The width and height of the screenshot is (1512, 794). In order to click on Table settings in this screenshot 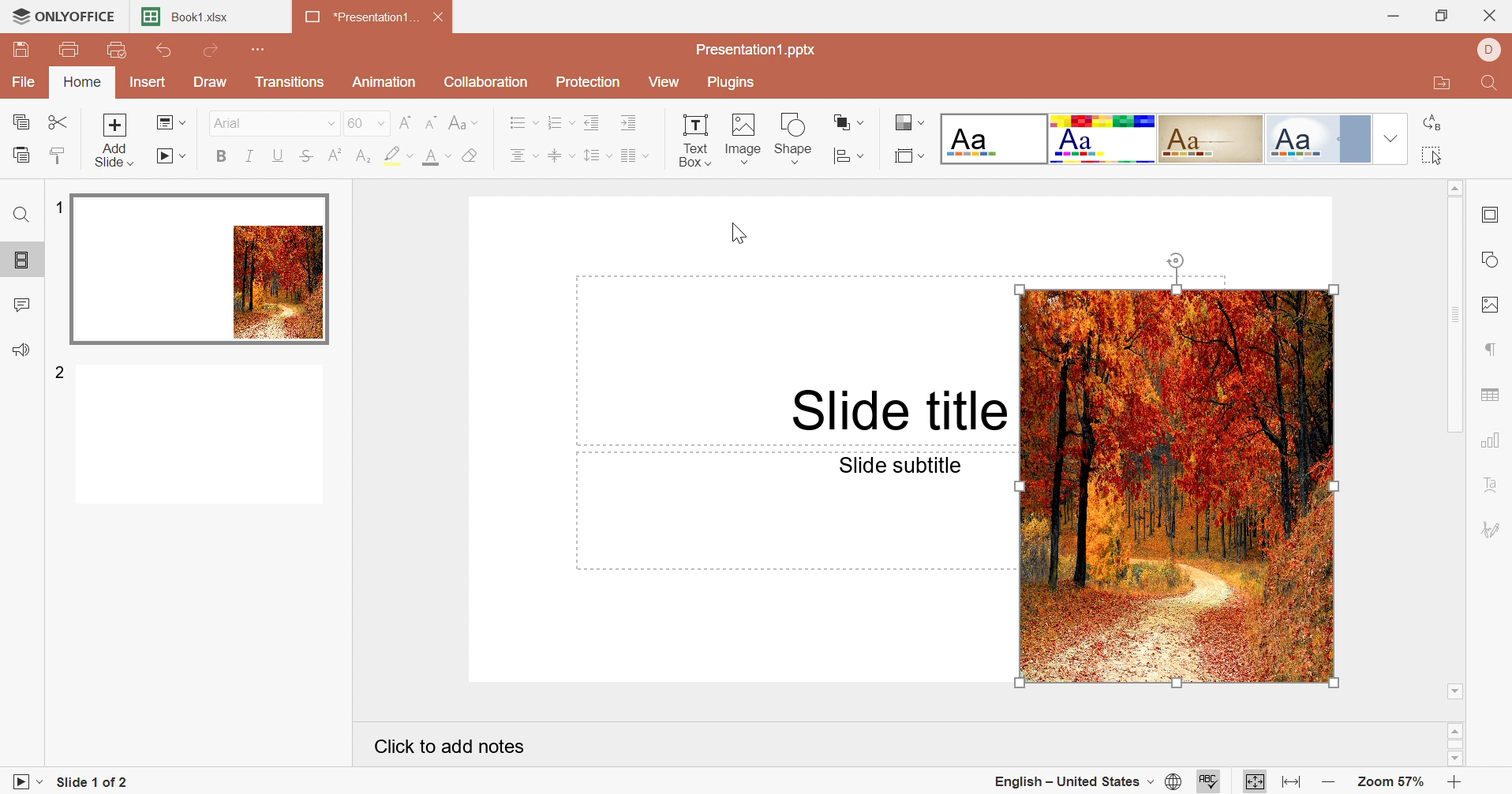, I will do `click(1490, 395)`.